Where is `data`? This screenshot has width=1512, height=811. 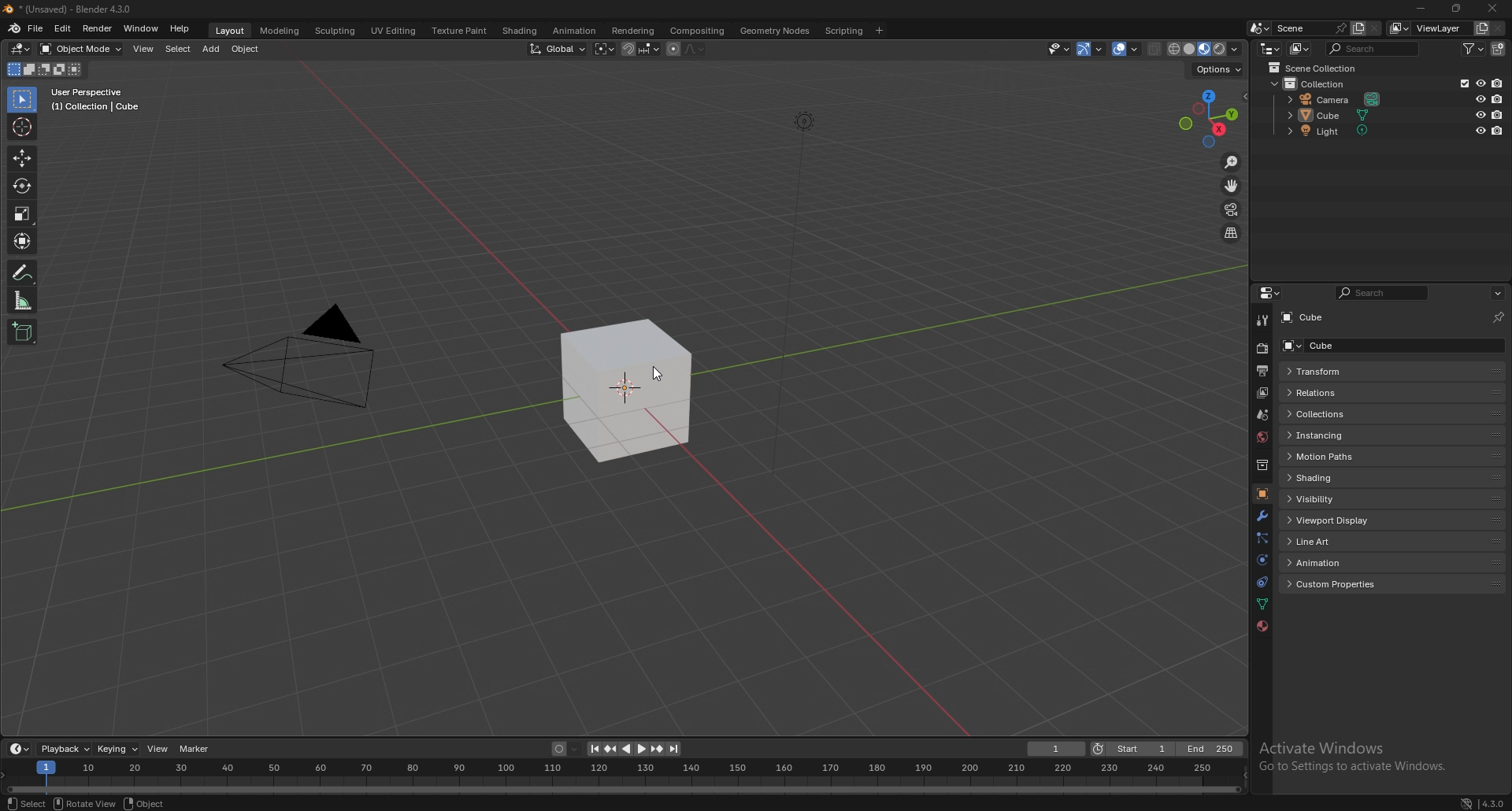
data is located at coordinates (1261, 604).